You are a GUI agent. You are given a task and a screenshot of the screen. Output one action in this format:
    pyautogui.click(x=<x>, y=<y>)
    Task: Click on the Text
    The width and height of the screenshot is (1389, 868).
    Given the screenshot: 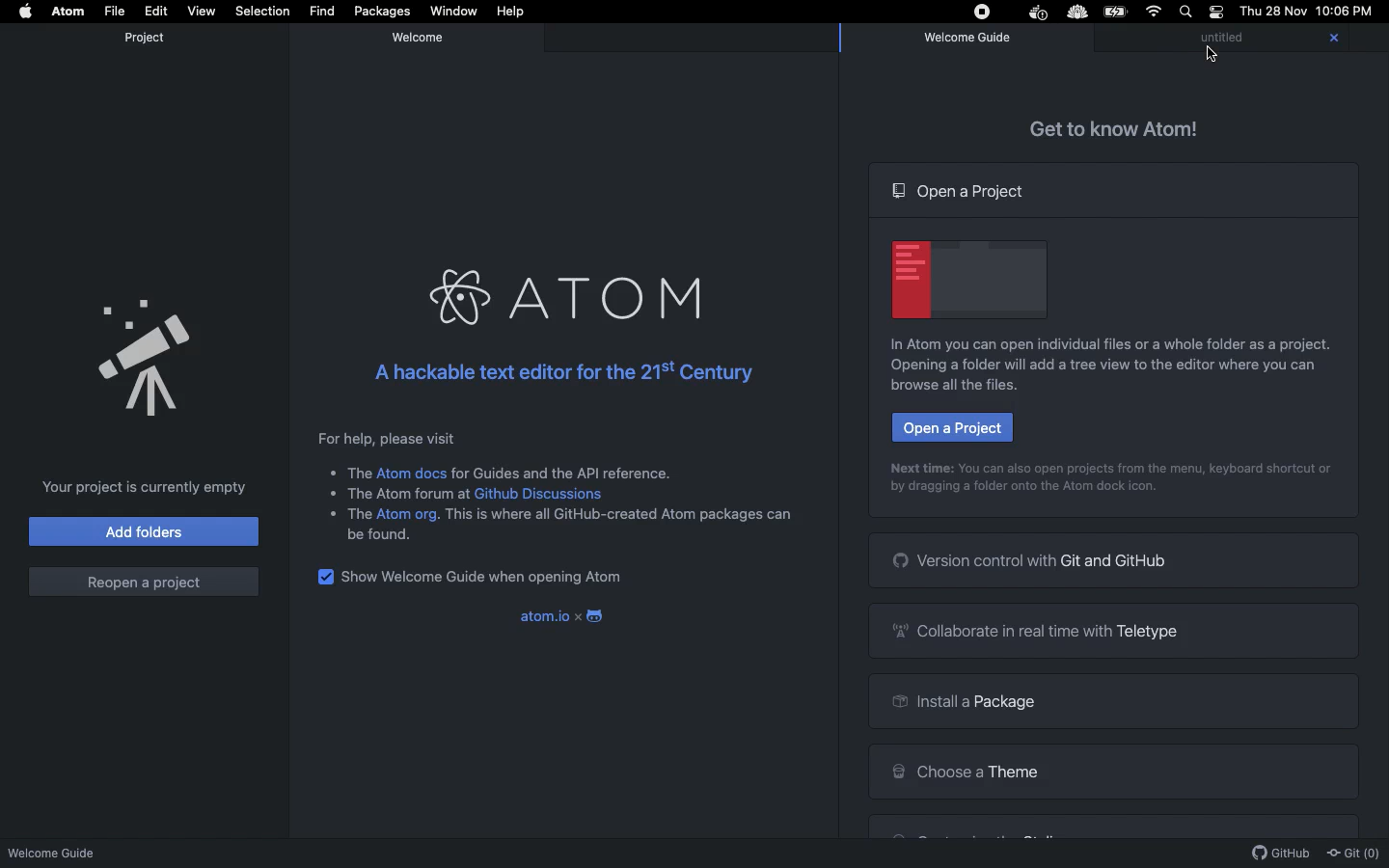 What is the action you would take?
    pyautogui.click(x=563, y=472)
    